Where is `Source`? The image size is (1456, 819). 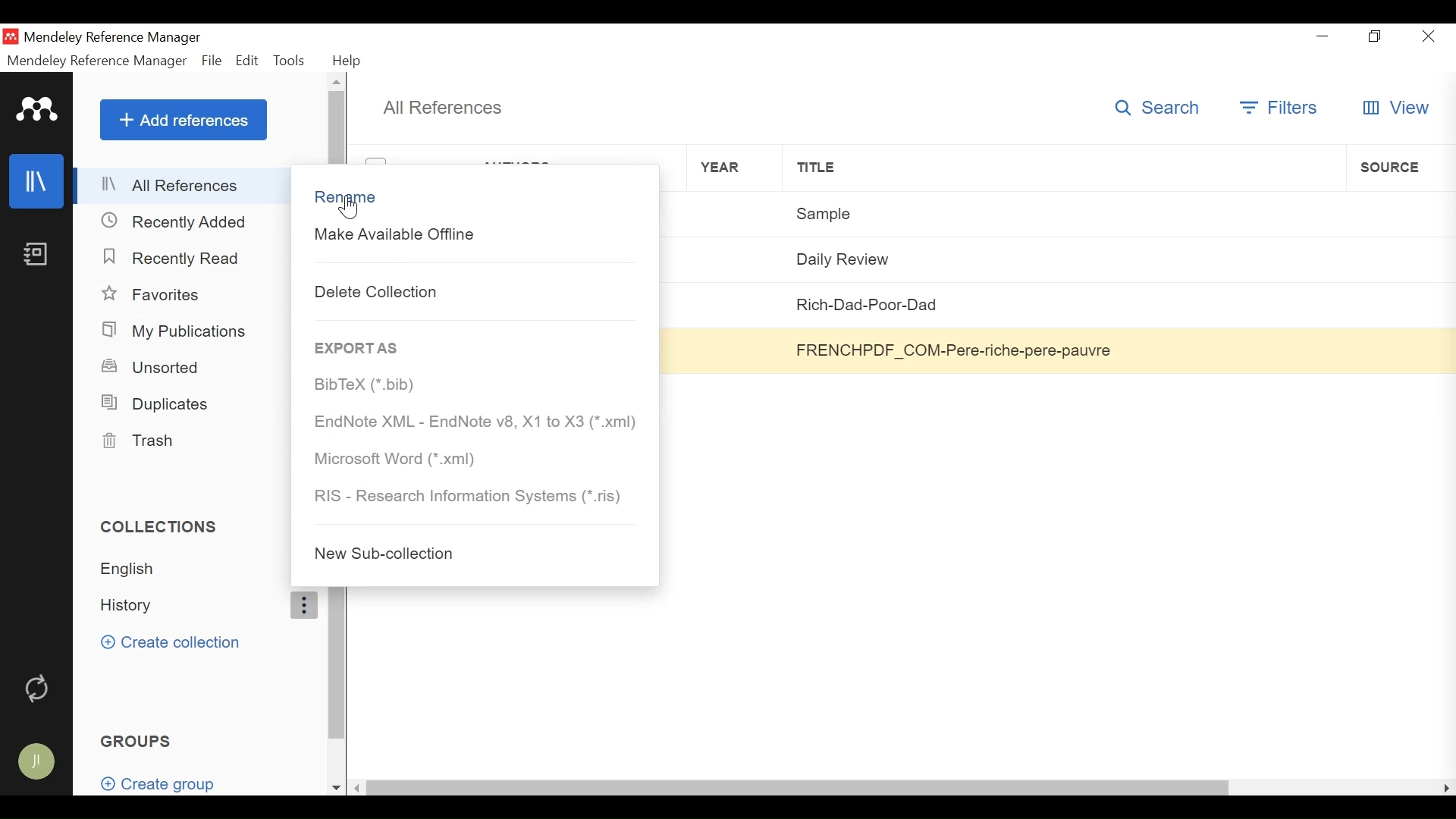
Source is located at coordinates (1396, 257).